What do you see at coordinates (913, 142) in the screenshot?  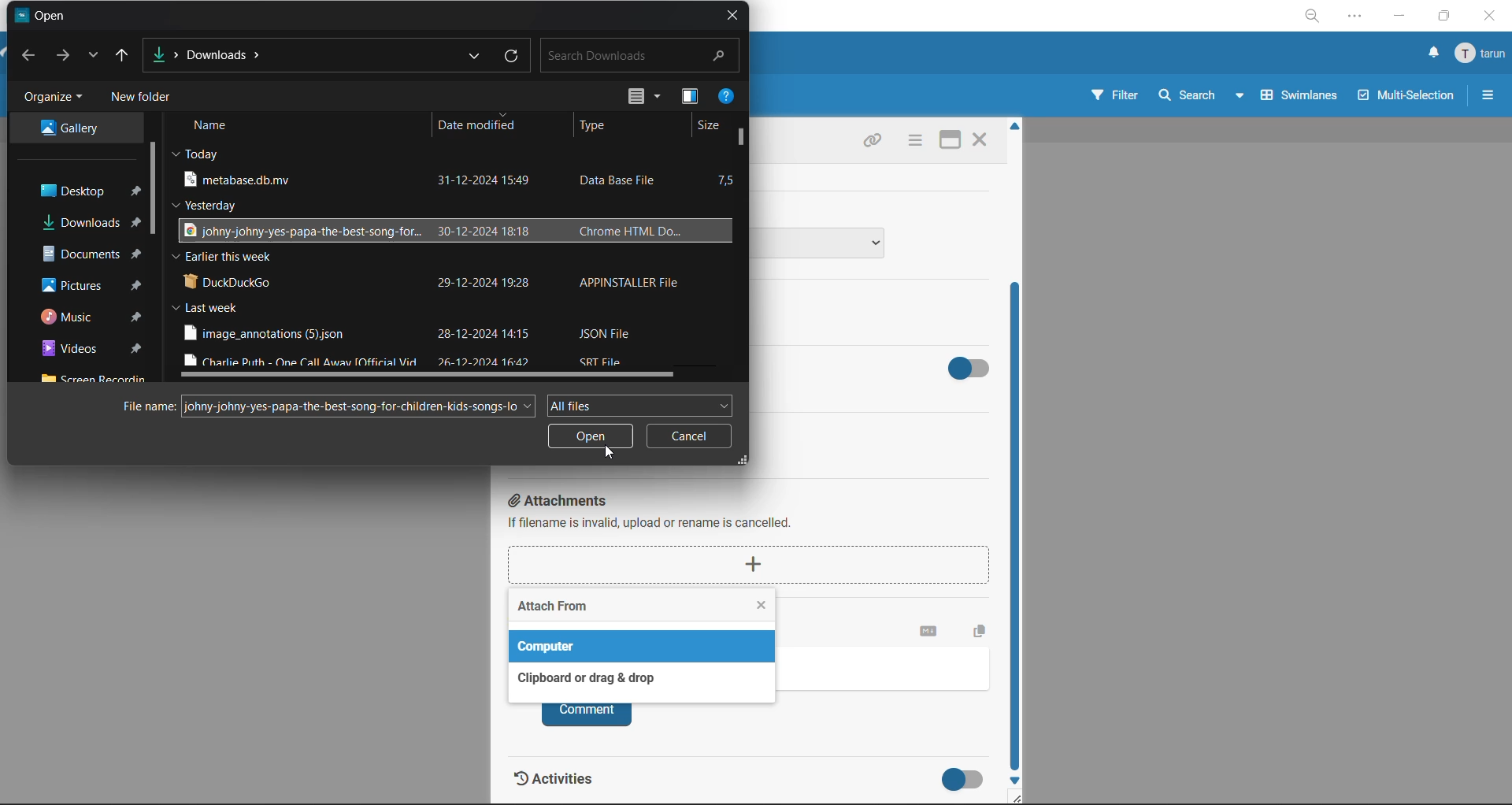 I see `card actions` at bounding box center [913, 142].